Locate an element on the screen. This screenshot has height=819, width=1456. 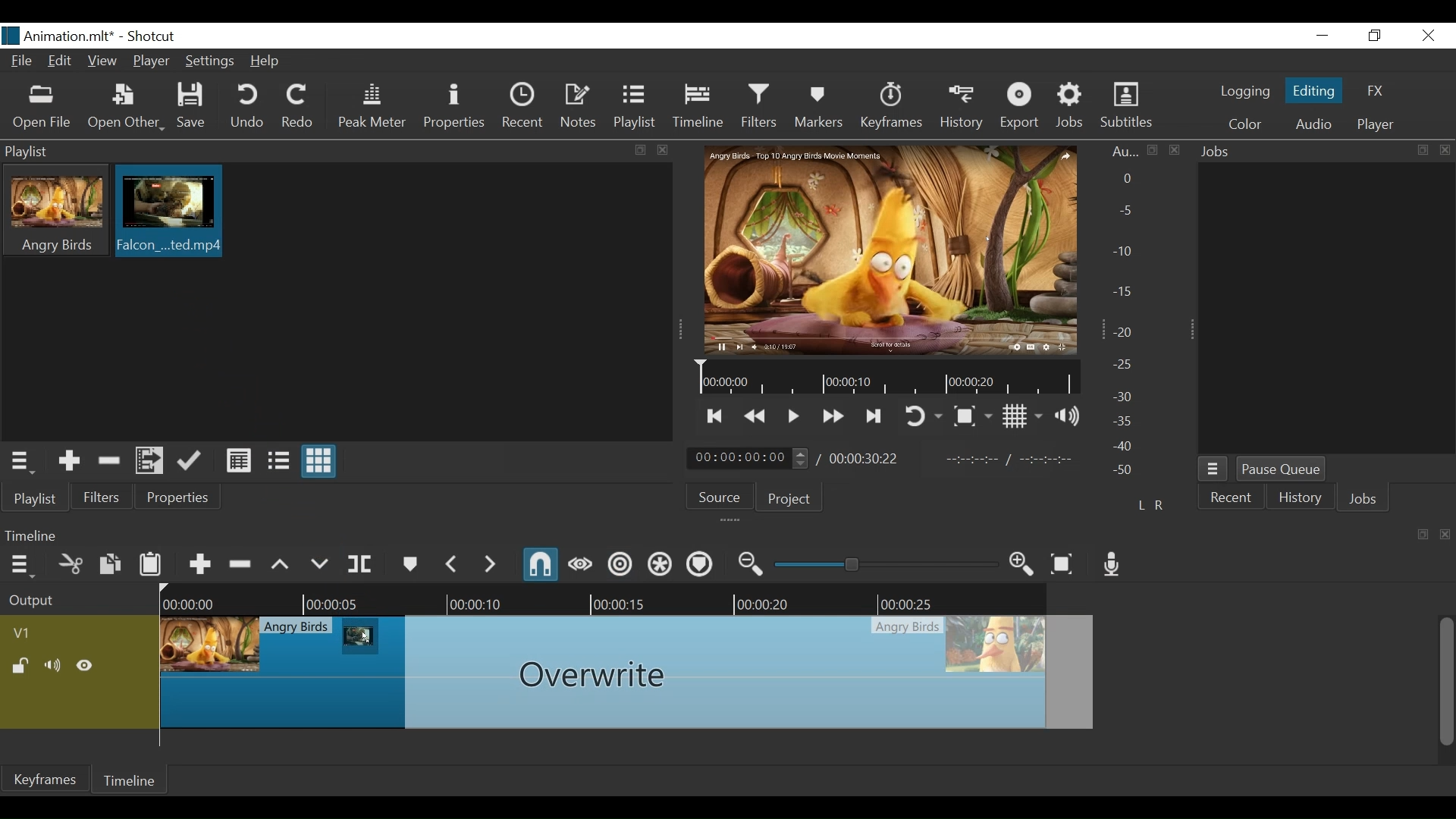
Clip is located at coordinates (168, 210).